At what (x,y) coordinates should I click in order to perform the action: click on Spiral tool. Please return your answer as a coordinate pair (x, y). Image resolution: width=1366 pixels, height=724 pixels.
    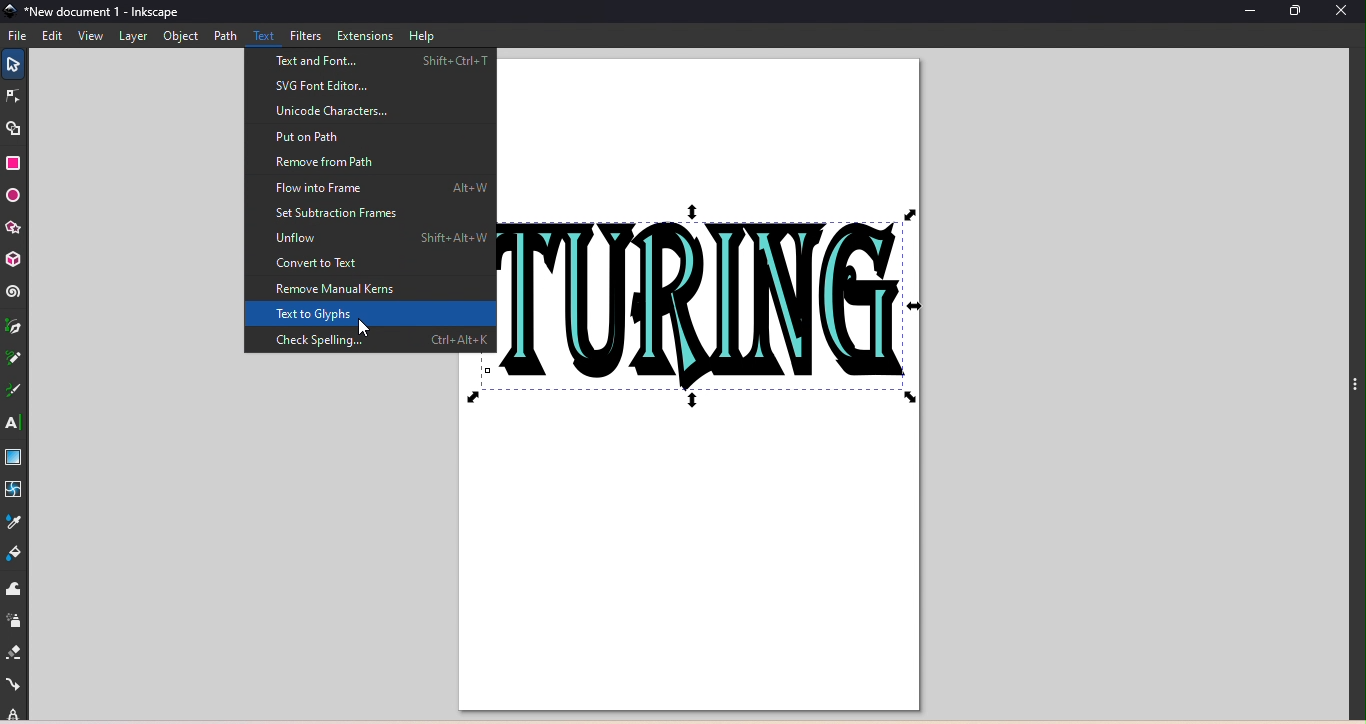
    Looking at the image, I should click on (13, 292).